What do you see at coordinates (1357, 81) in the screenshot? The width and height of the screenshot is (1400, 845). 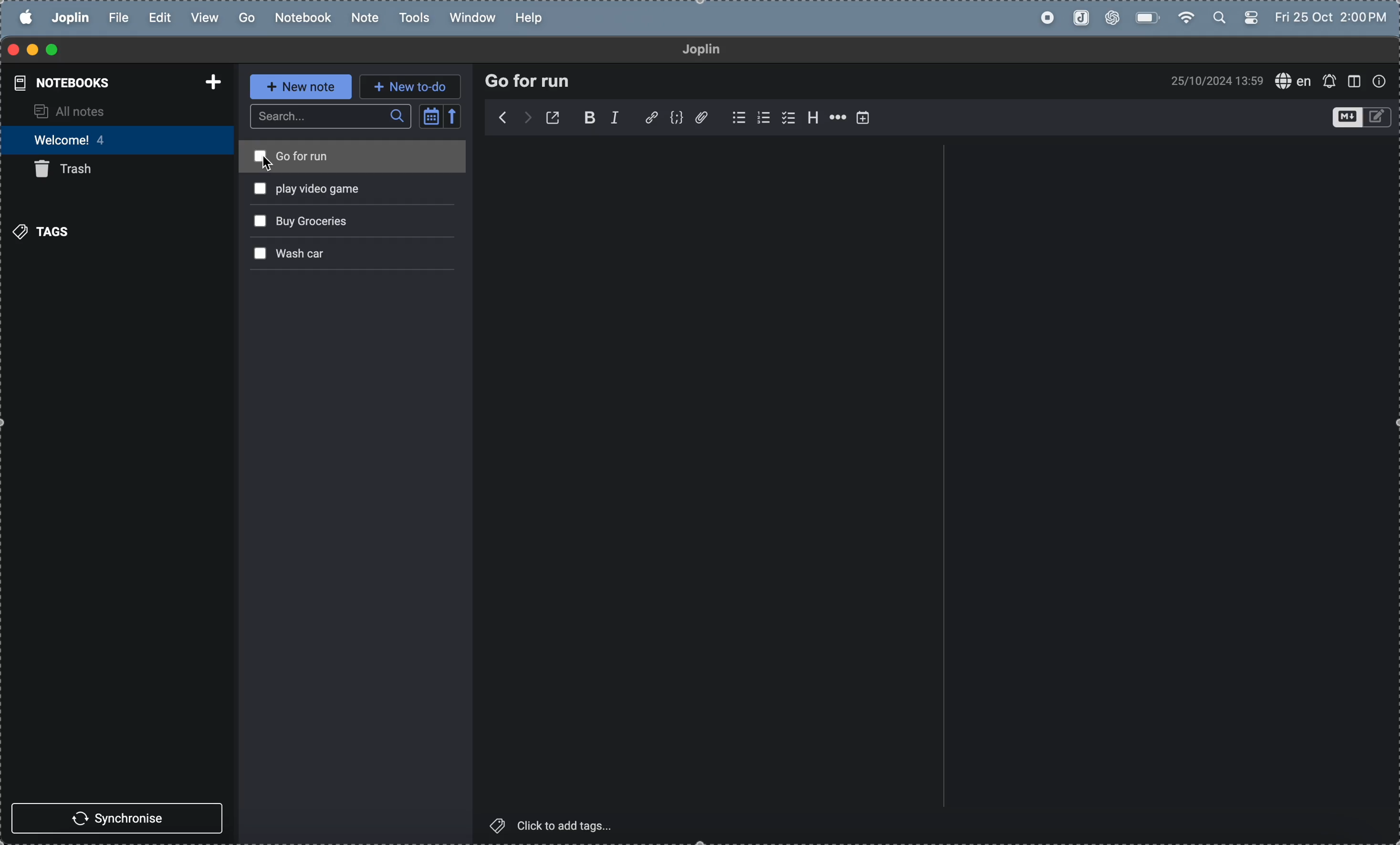 I see `window` at bounding box center [1357, 81].